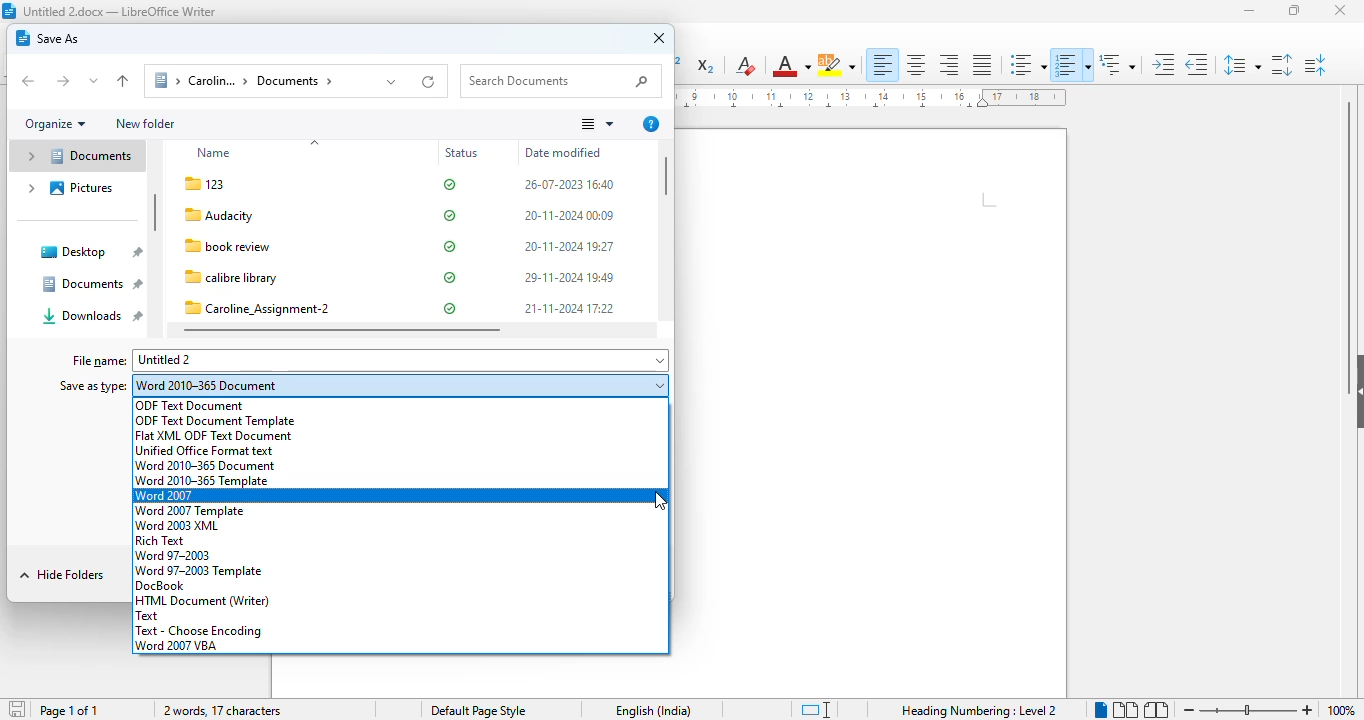 Image resolution: width=1364 pixels, height=720 pixels. I want to click on untitled 2, so click(401, 361).